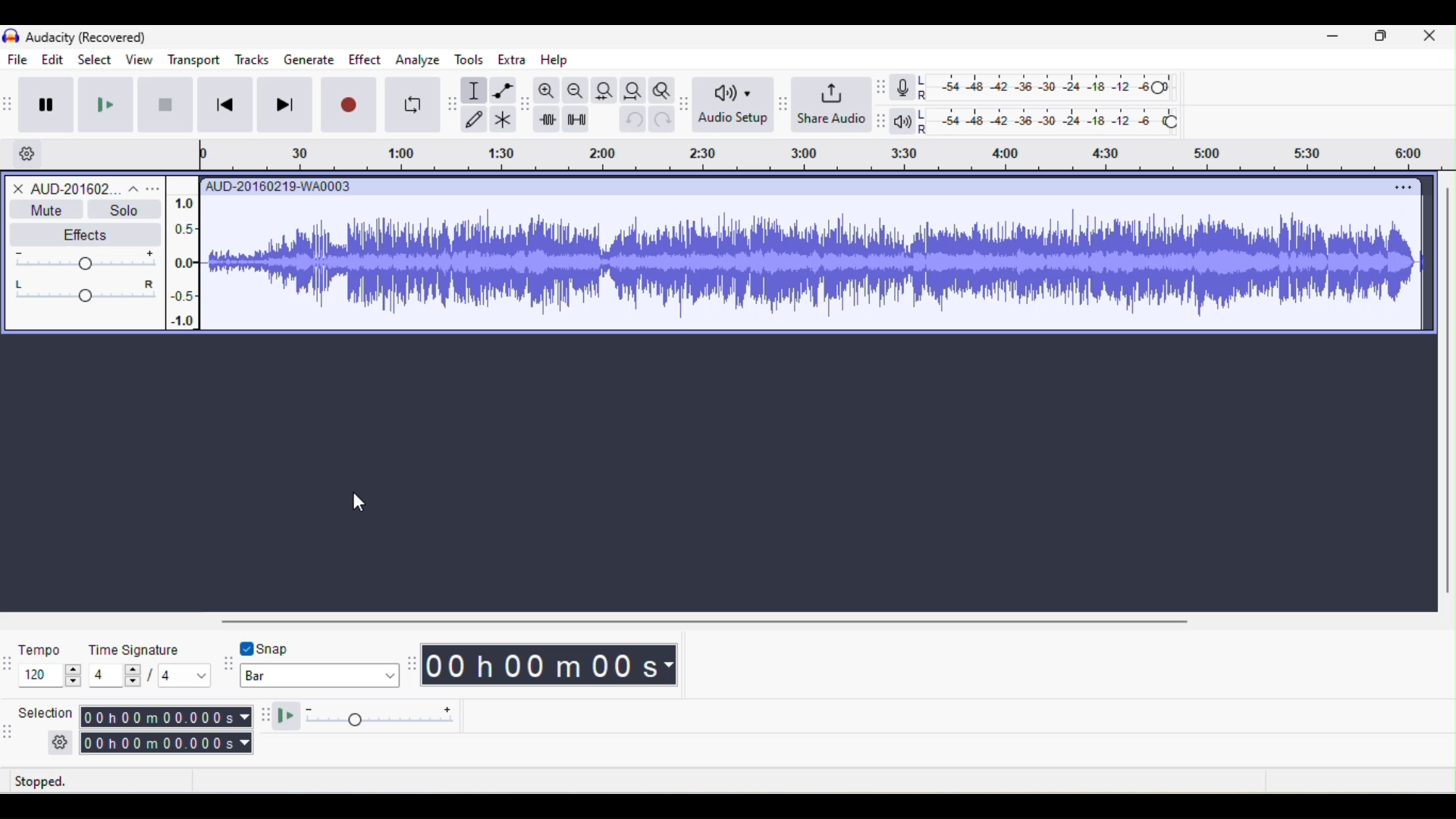  I want to click on minimize, so click(1335, 39).